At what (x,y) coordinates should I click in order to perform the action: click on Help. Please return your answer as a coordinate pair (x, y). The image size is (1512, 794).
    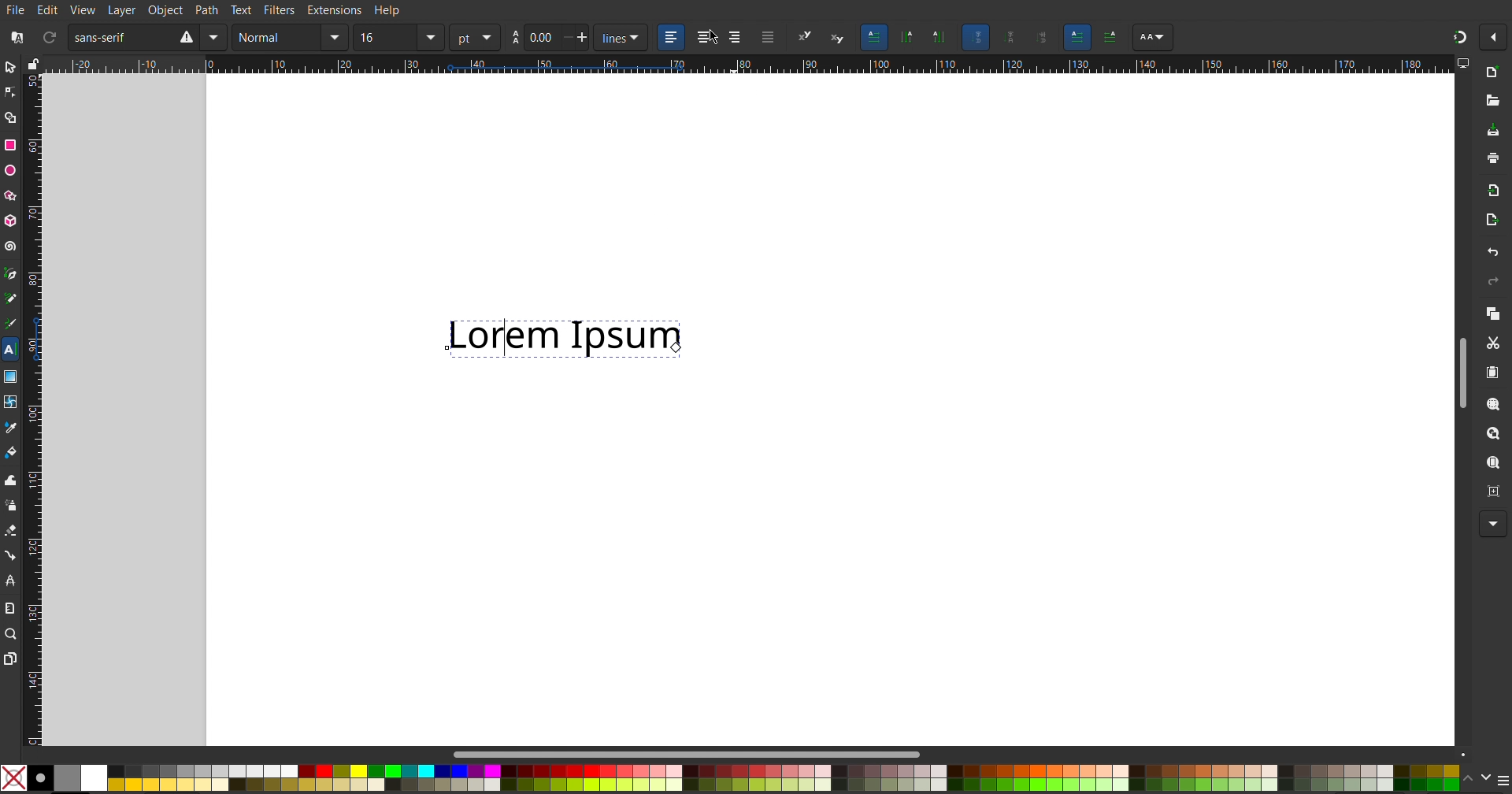
    Looking at the image, I should click on (391, 11).